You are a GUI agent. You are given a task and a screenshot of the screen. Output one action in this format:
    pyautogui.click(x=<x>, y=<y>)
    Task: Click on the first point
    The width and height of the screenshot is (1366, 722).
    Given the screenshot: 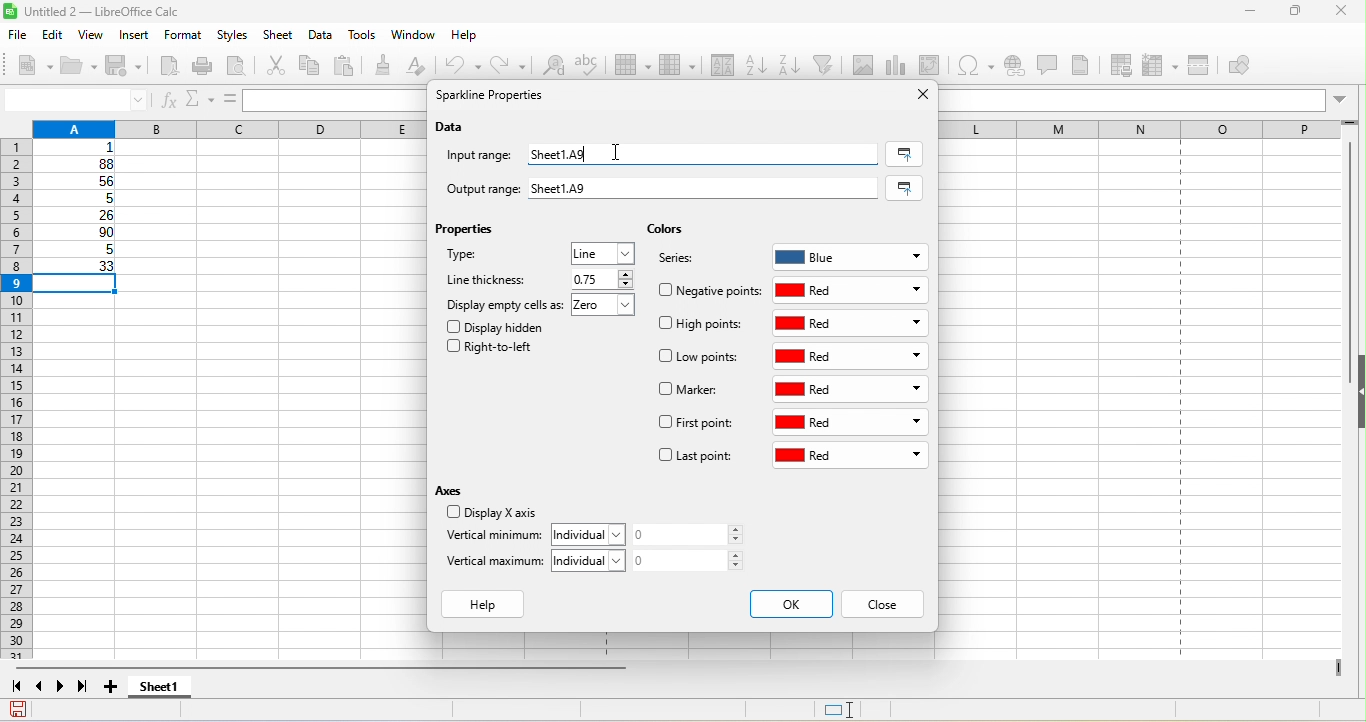 What is the action you would take?
    pyautogui.click(x=696, y=425)
    